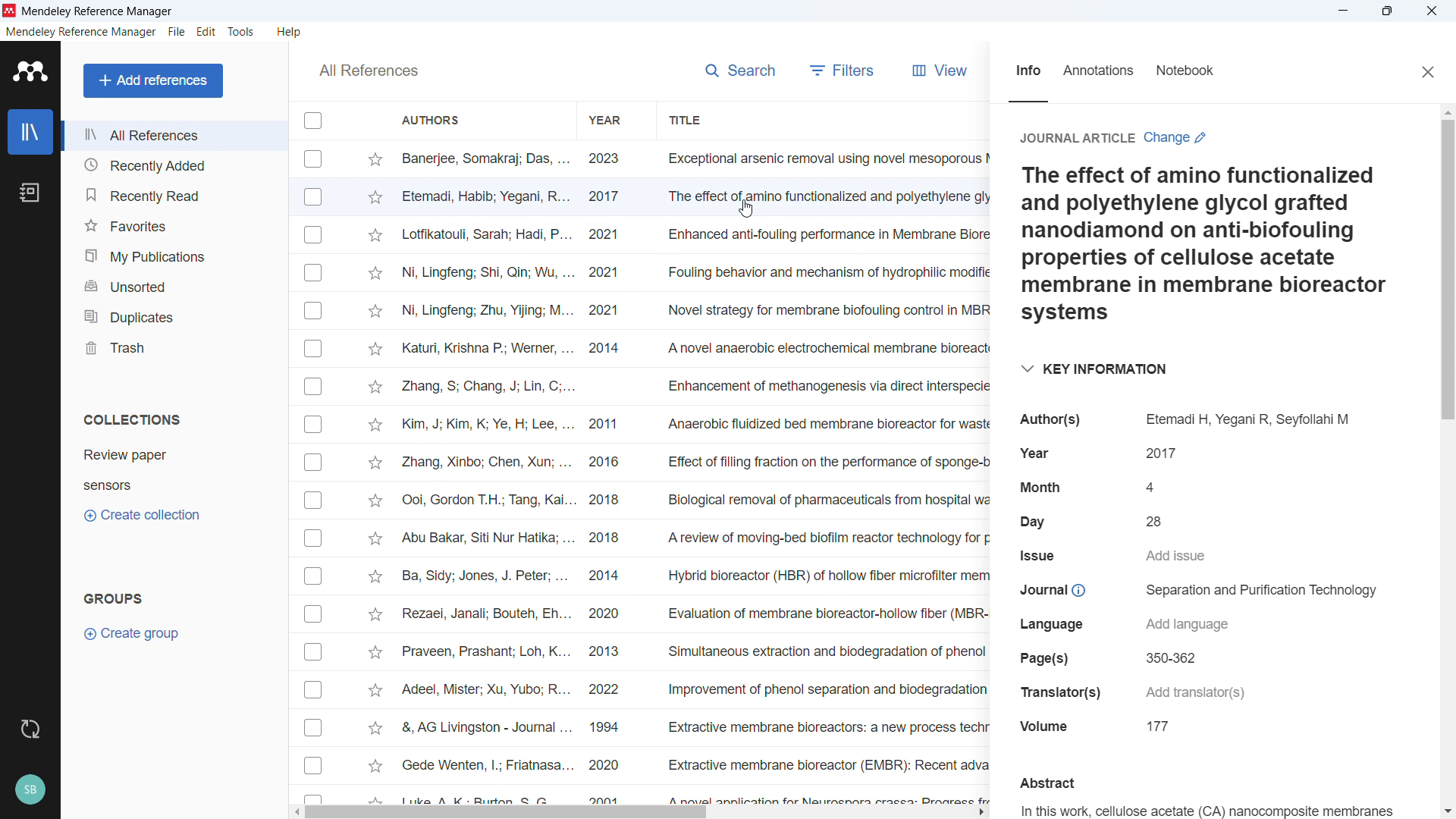 The height and width of the screenshot is (819, 1456). Describe the element at coordinates (507, 812) in the screenshot. I see `Horizontal scroll bar ` at that location.